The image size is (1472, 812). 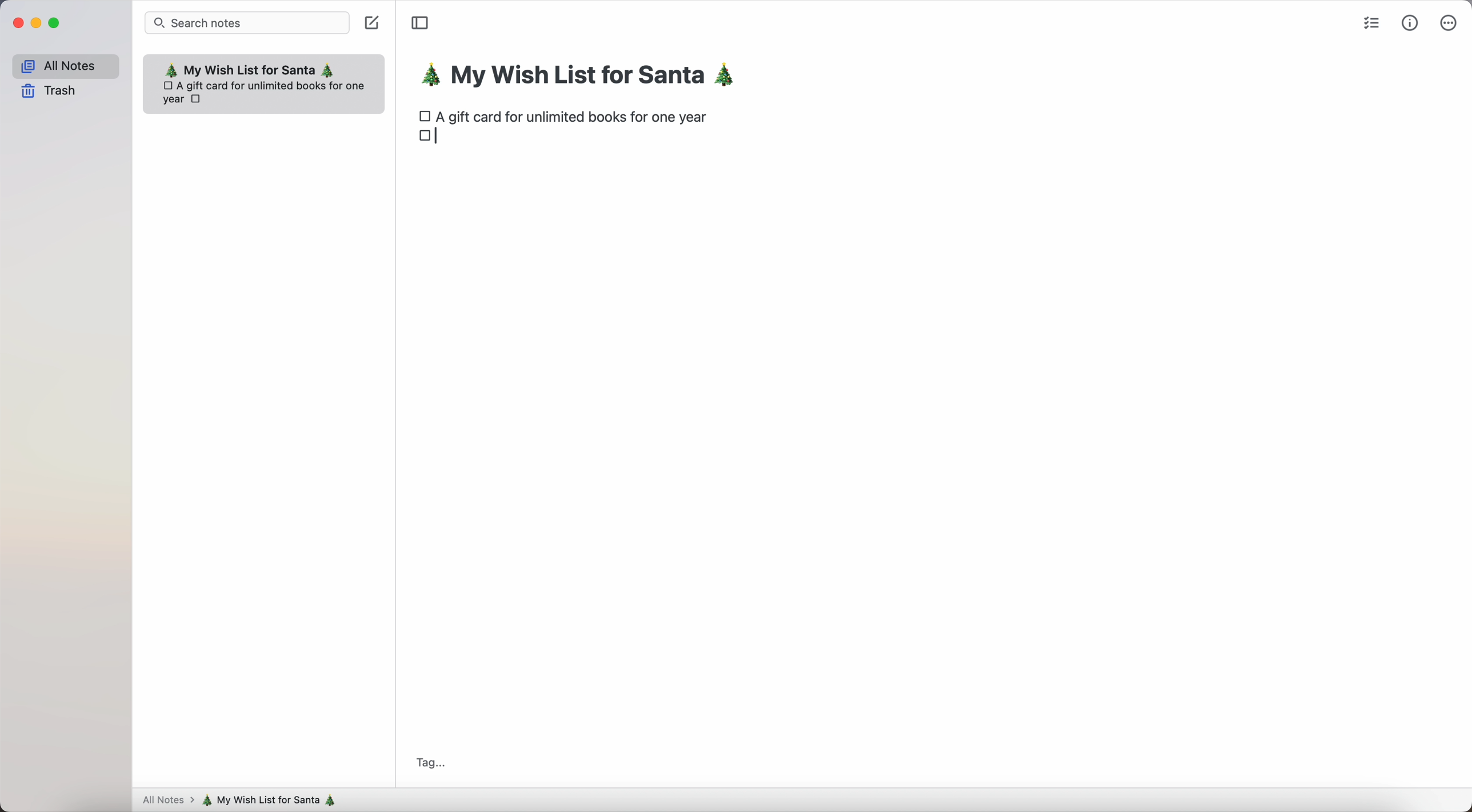 What do you see at coordinates (36, 24) in the screenshot?
I see `minimize Simplenote` at bounding box center [36, 24].